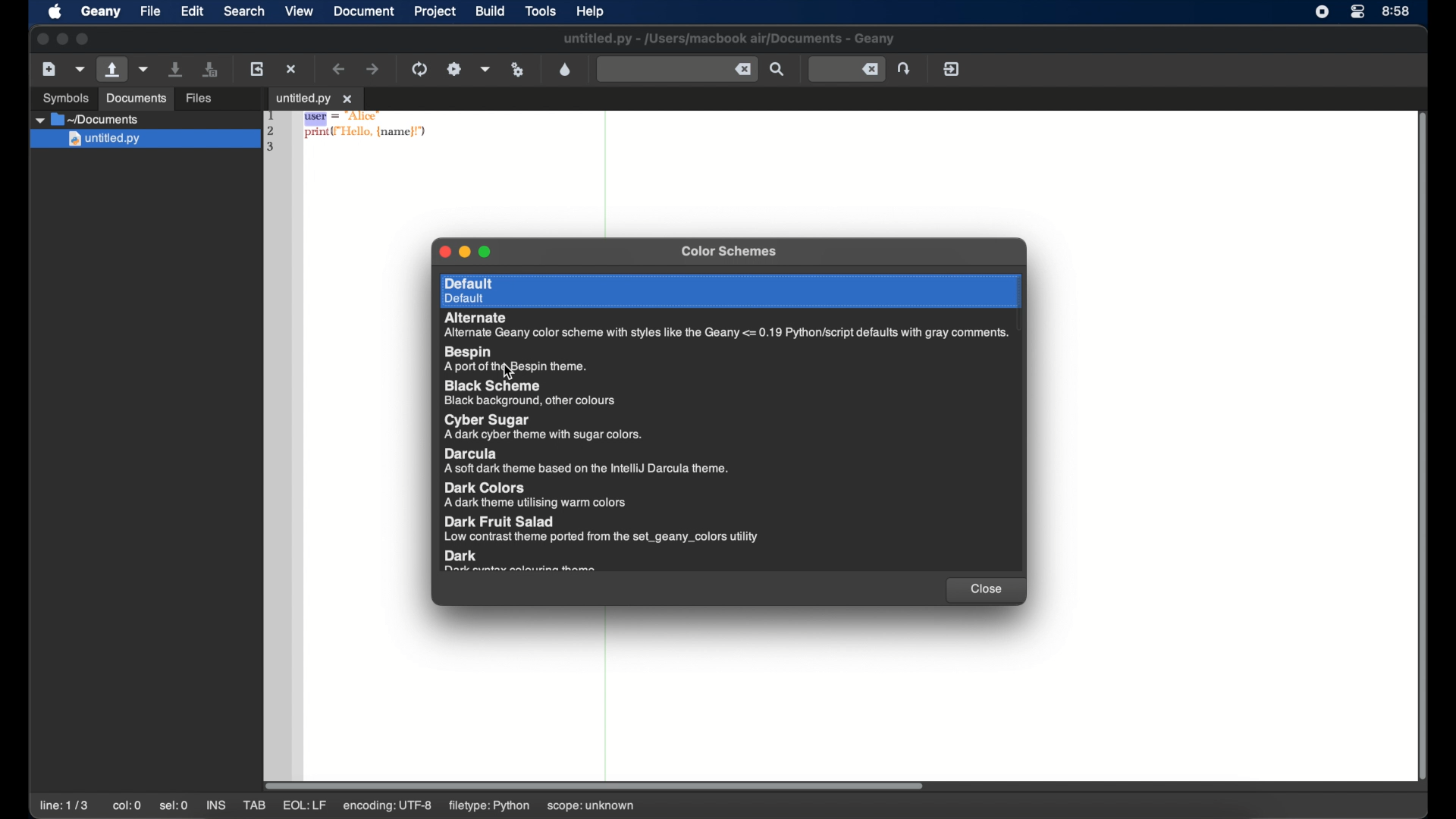 The height and width of the screenshot is (819, 1456). What do you see at coordinates (491, 11) in the screenshot?
I see `build` at bounding box center [491, 11].